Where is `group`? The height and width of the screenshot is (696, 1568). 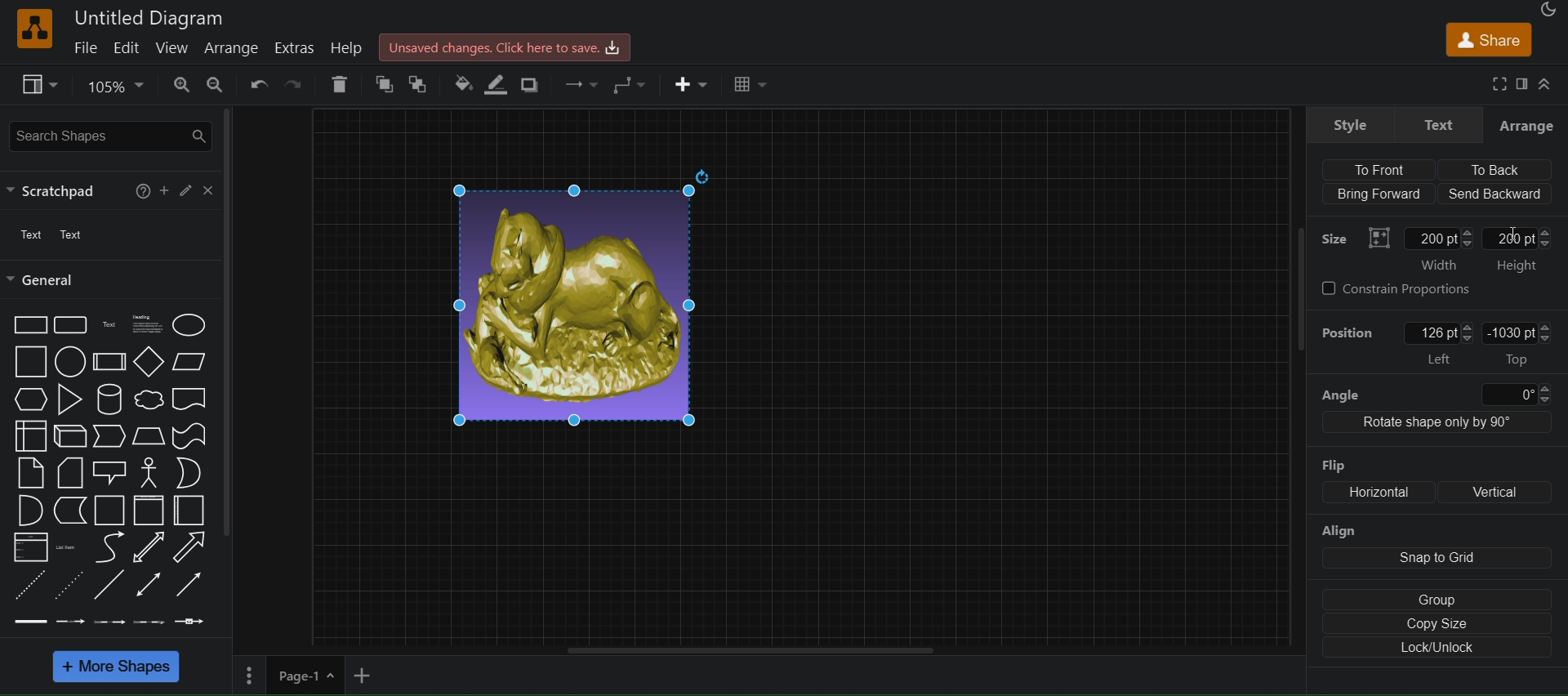 group is located at coordinates (1432, 599).